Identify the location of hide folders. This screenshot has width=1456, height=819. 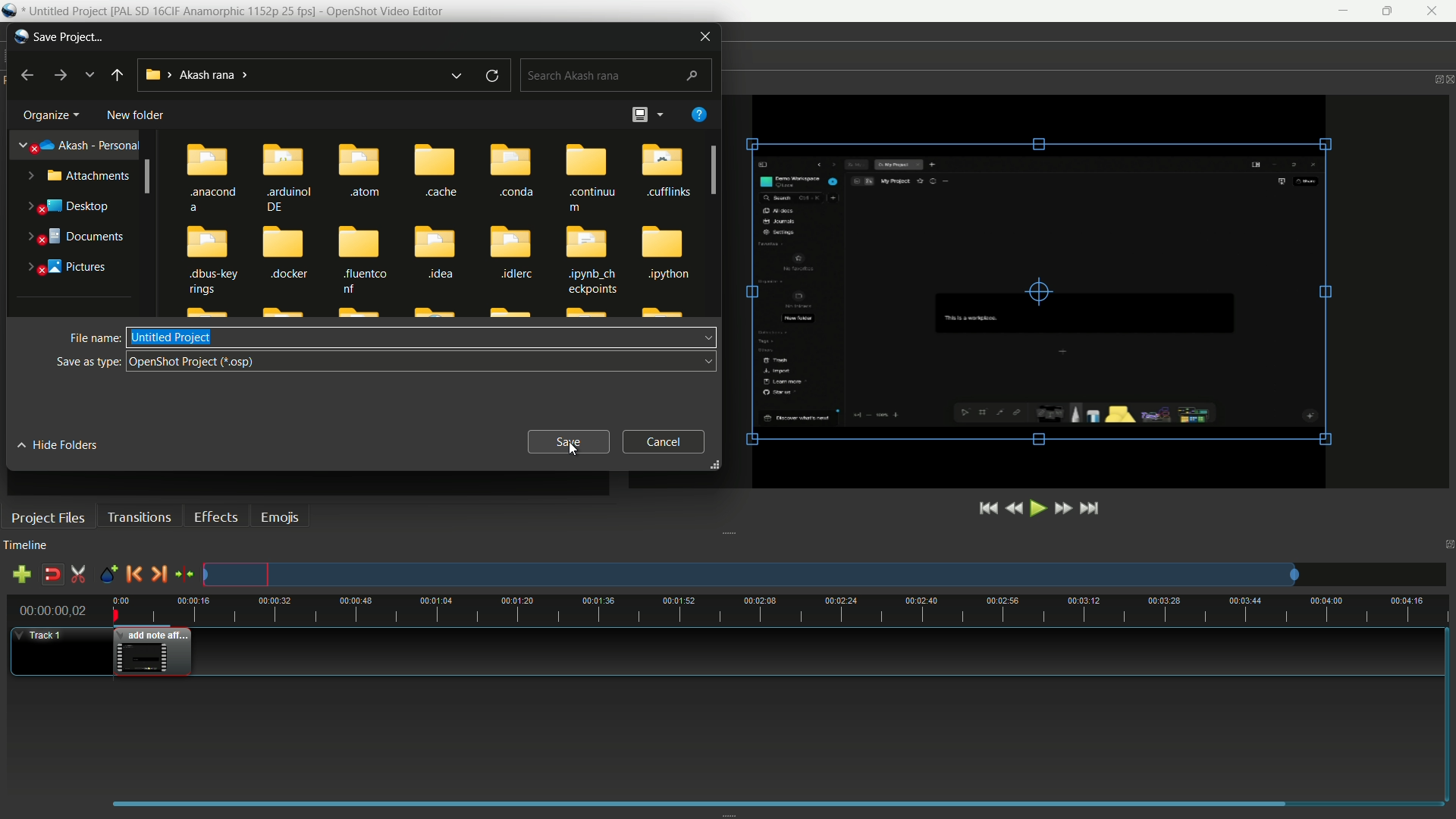
(58, 446).